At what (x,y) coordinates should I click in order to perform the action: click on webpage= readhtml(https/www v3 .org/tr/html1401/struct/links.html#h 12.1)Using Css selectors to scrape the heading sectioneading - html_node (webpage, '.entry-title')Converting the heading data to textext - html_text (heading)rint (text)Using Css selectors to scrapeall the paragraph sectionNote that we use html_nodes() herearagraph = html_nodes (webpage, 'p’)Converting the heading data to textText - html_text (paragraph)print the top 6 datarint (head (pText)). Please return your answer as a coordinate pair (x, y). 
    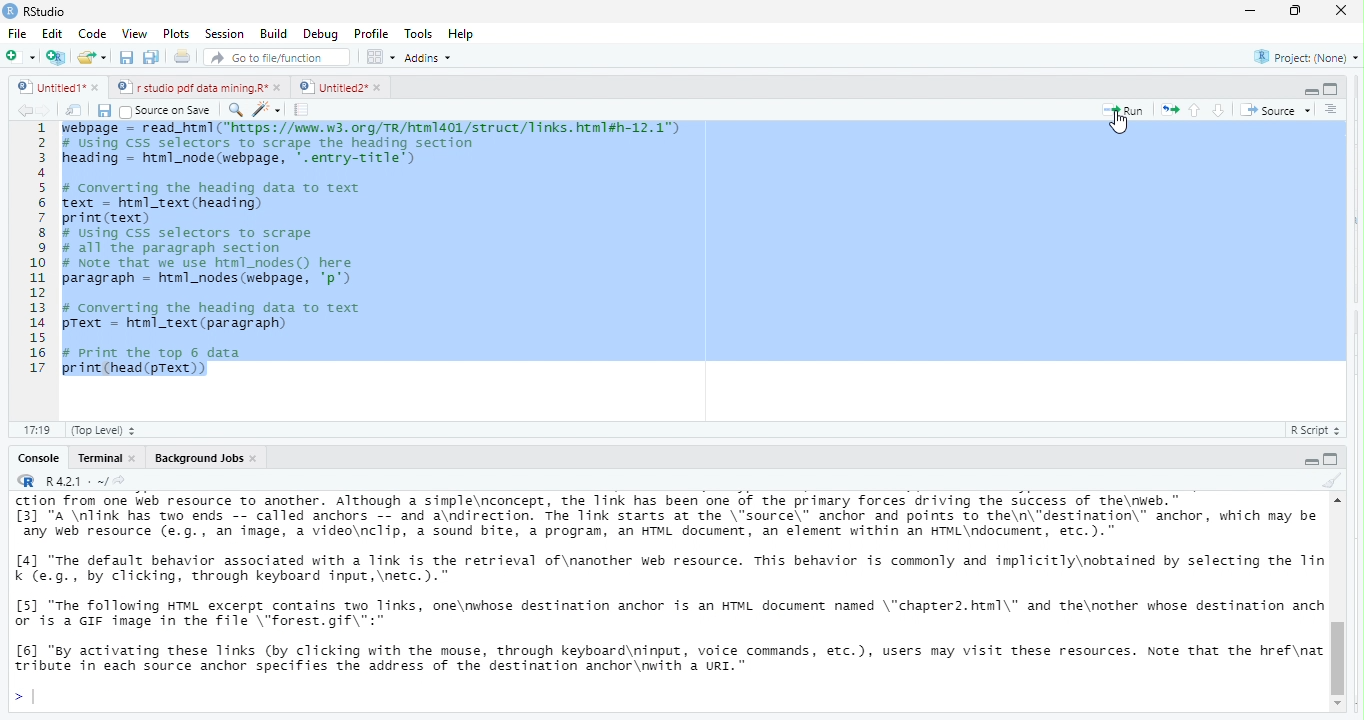
    Looking at the image, I should click on (702, 252).